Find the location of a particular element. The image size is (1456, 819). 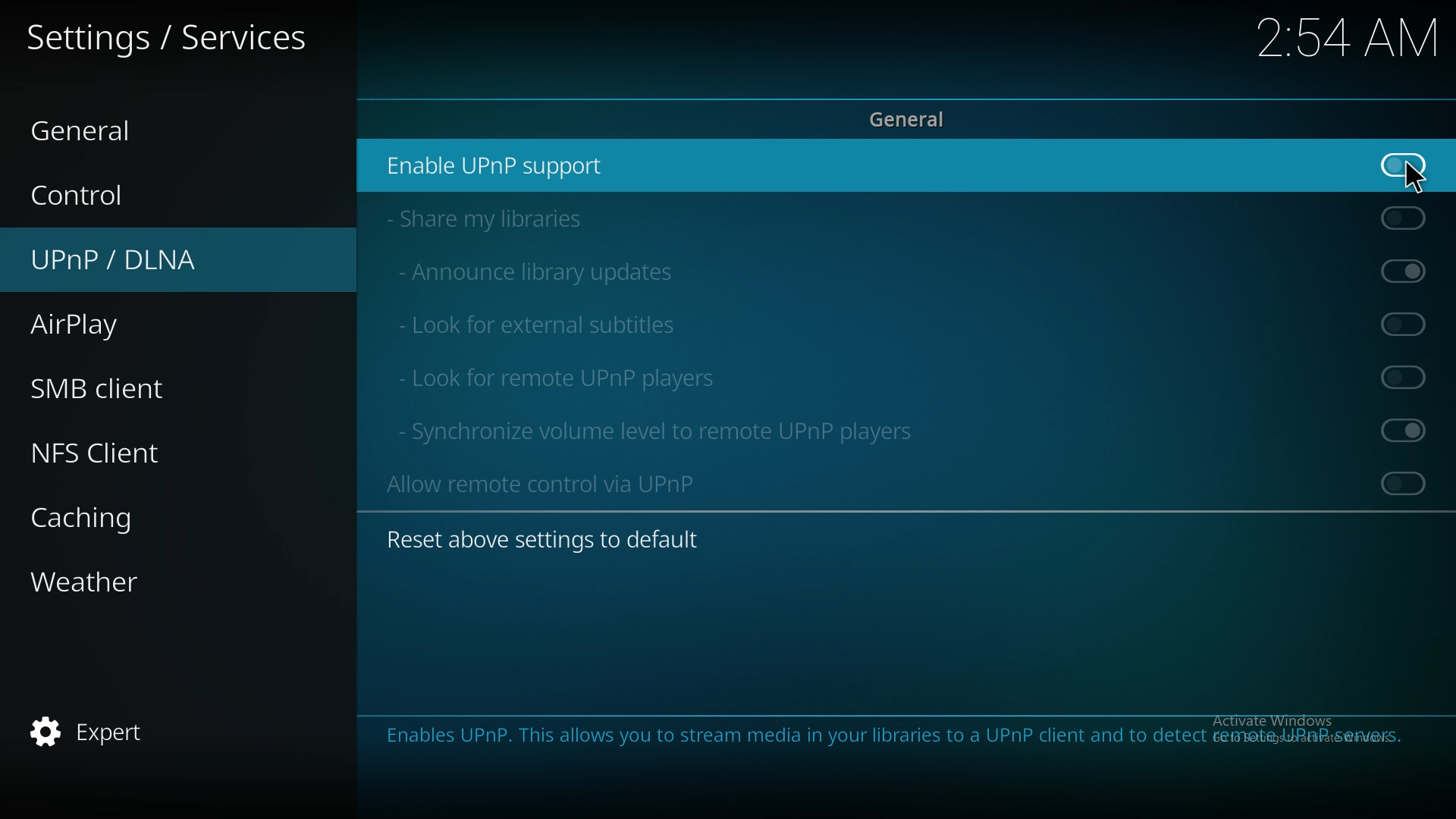

airplay is located at coordinates (105, 327).